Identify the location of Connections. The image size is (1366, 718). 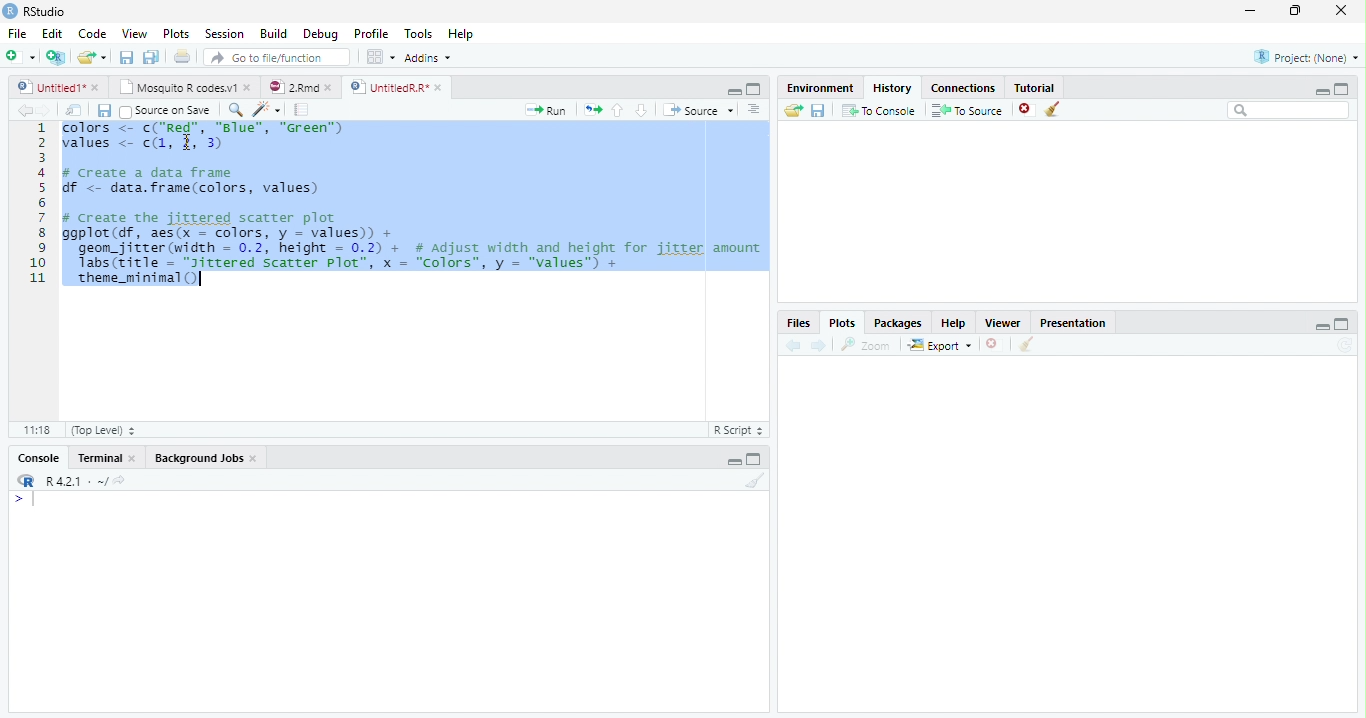
(963, 88).